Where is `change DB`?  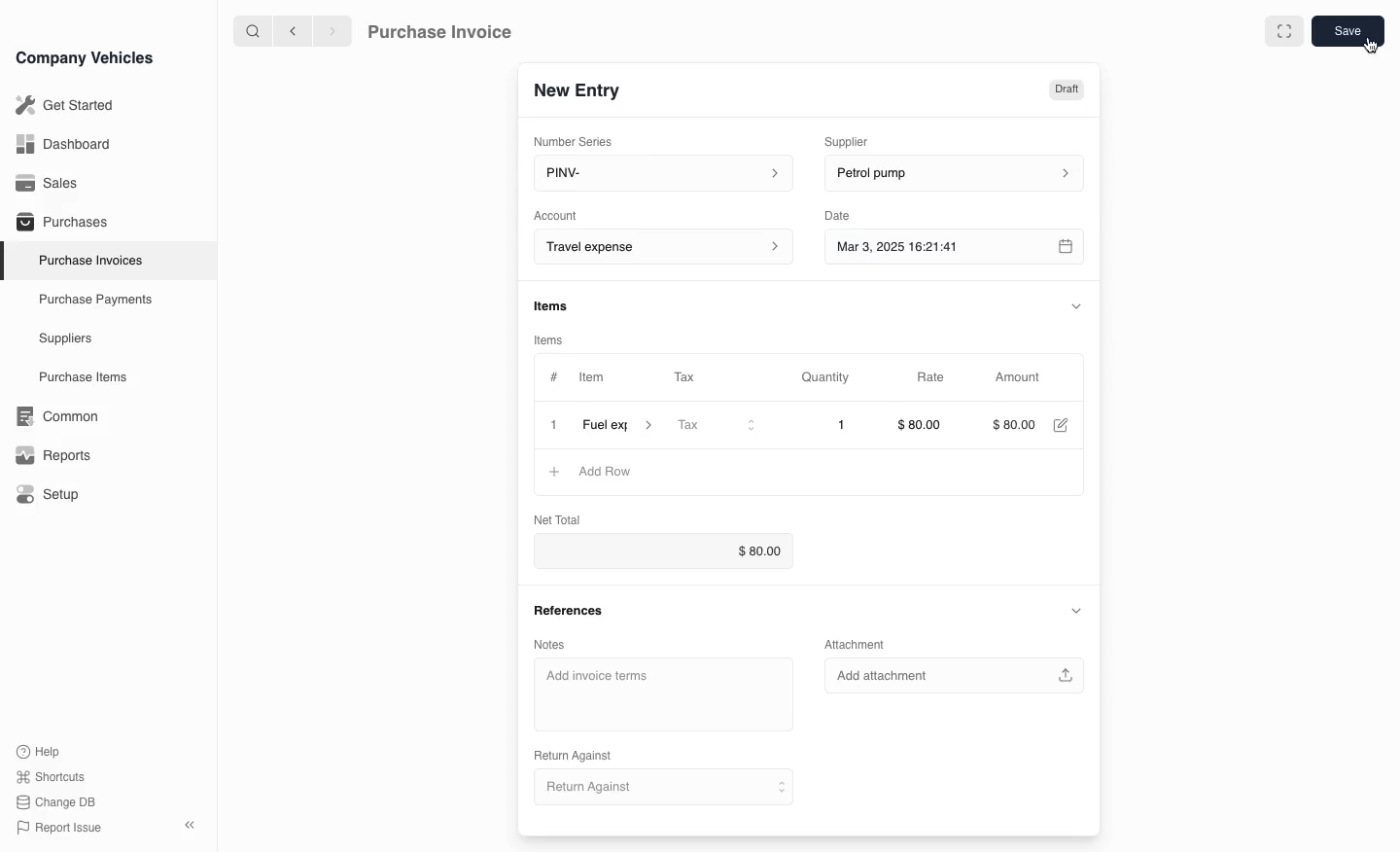 change DB is located at coordinates (58, 802).